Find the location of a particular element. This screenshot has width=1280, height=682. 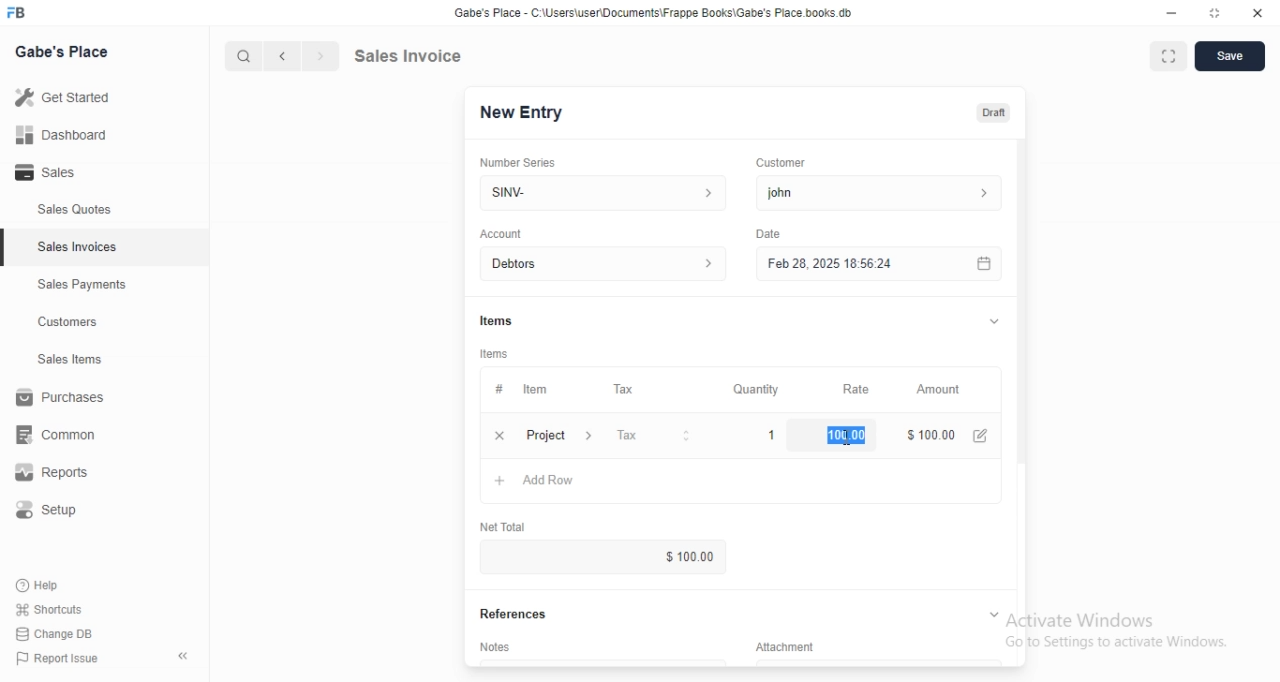

Rate is located at coordinates (853, 389).